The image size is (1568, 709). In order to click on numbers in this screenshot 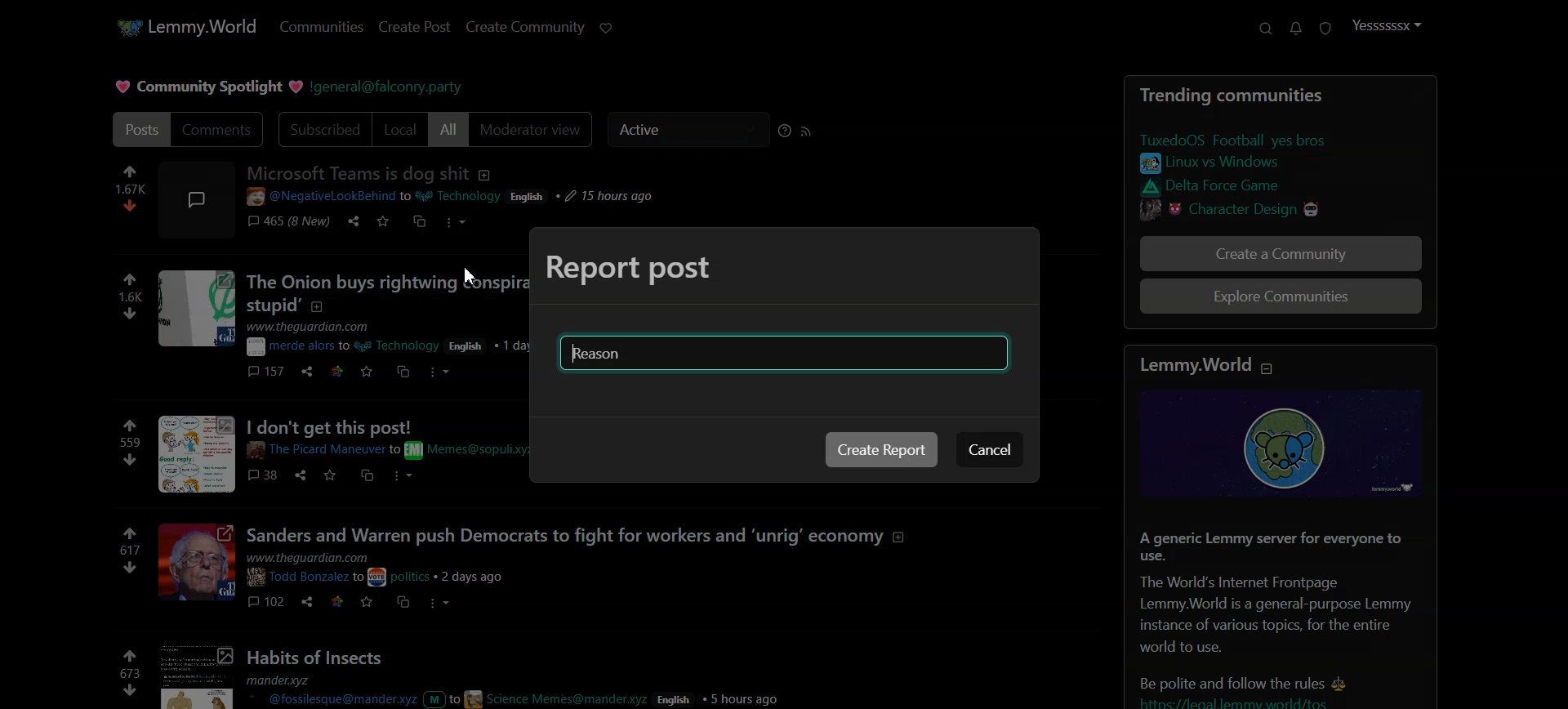, I will do `click(131, 297)`.